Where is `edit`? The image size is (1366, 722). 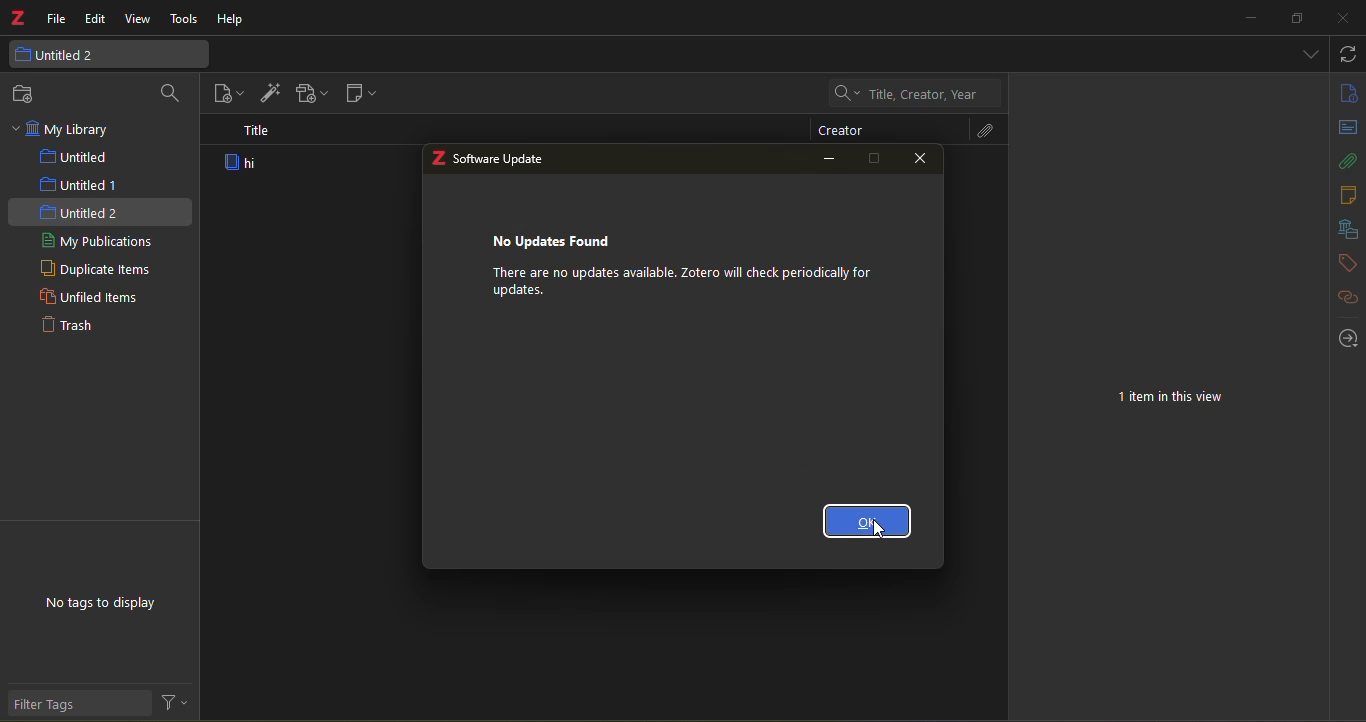 edit is located at coordinates (95, 18).